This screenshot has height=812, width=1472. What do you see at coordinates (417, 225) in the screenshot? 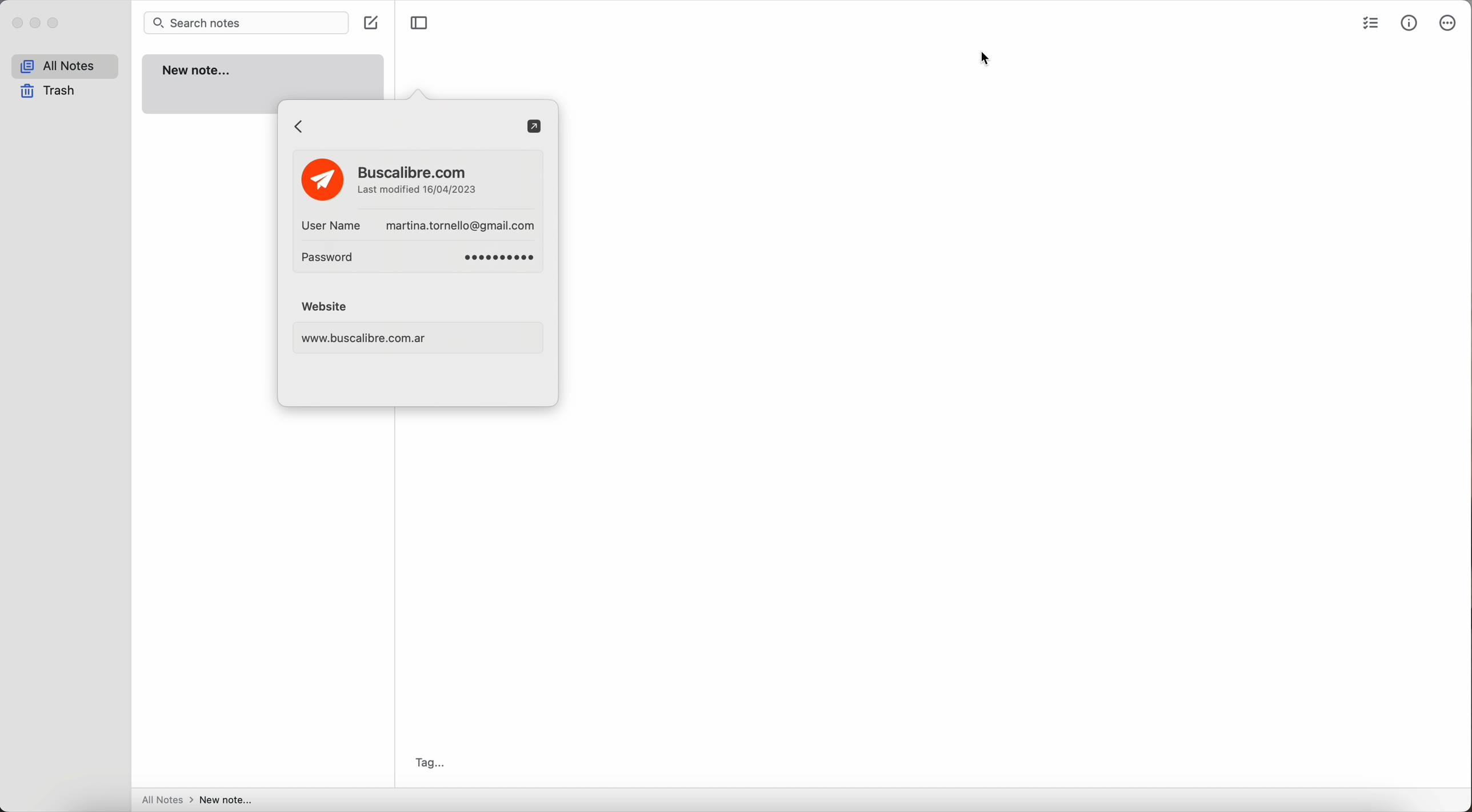
I see `user name` at bounding box center [417, 225].